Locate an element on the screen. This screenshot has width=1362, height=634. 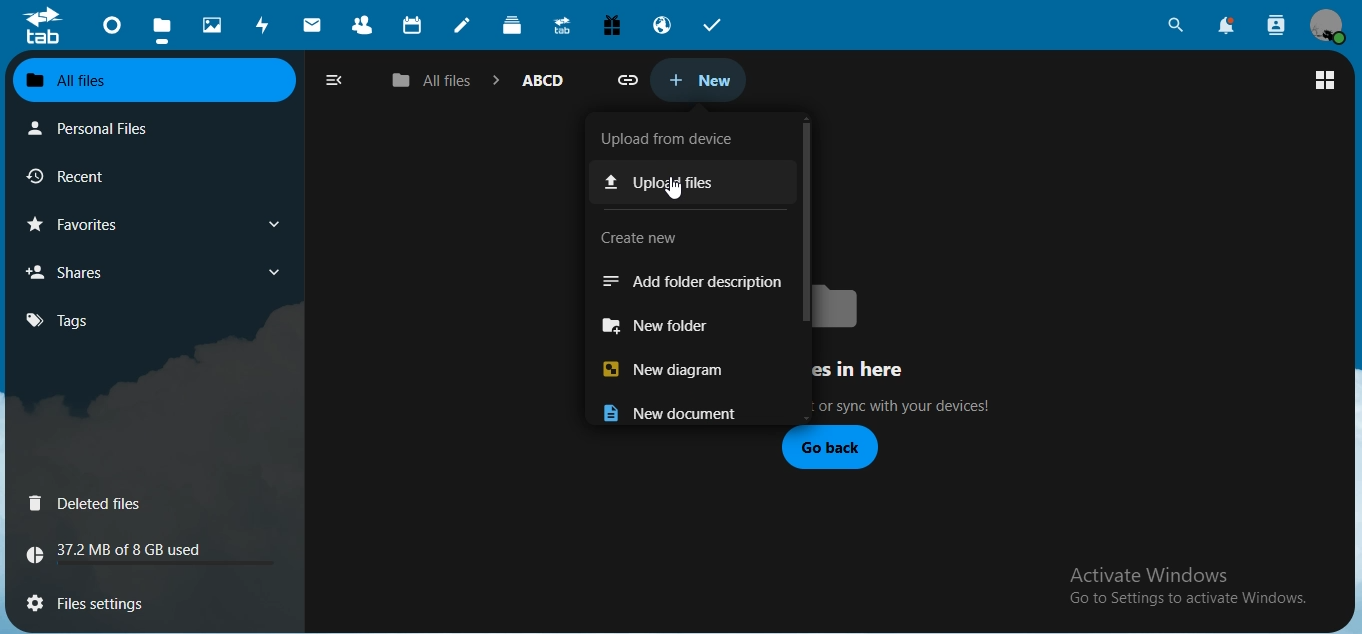
all files is located at coordinates (151, 79).